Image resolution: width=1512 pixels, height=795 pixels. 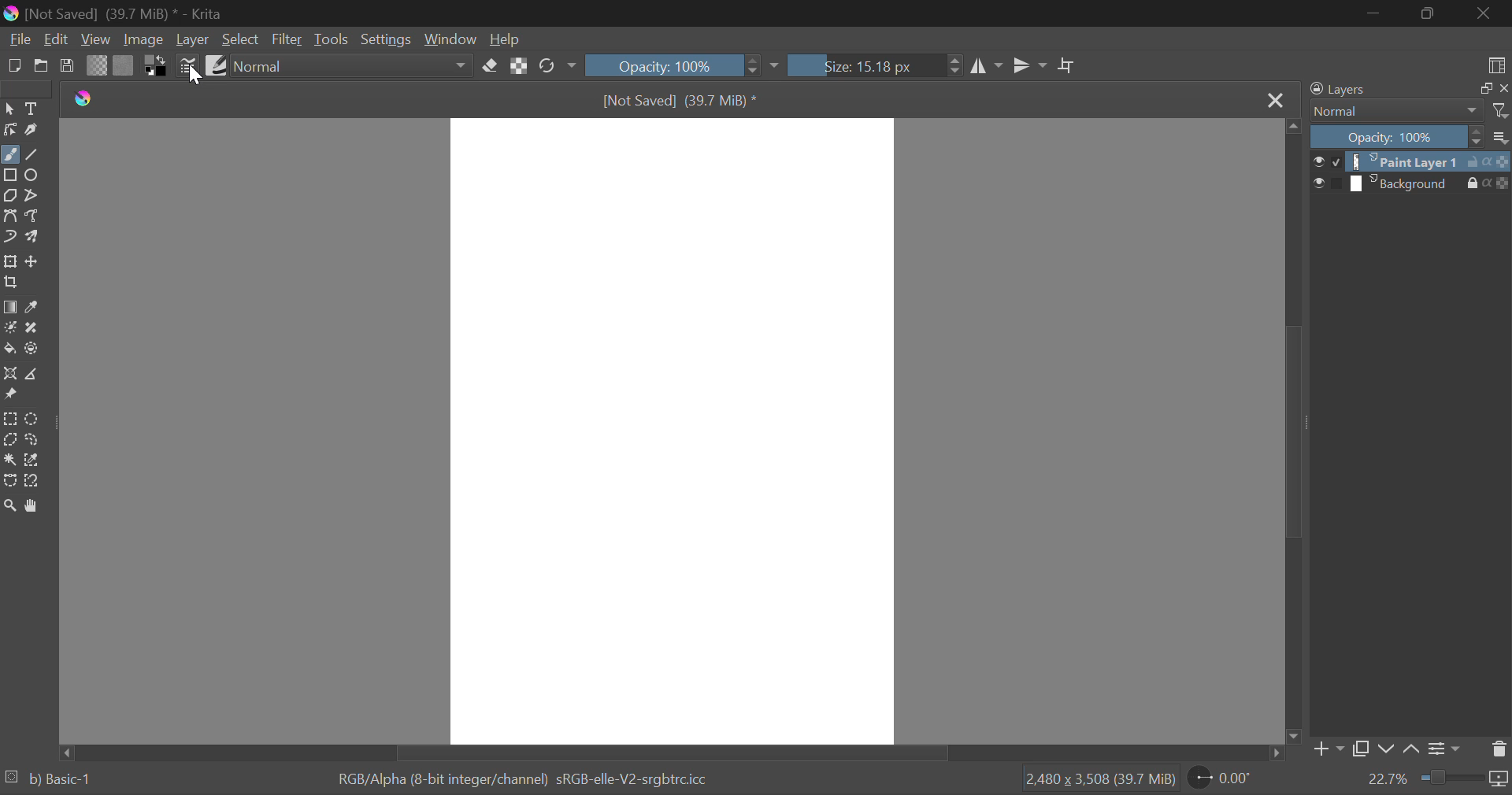 I want to click on Freehand Selection, so click(x=31, y=441).